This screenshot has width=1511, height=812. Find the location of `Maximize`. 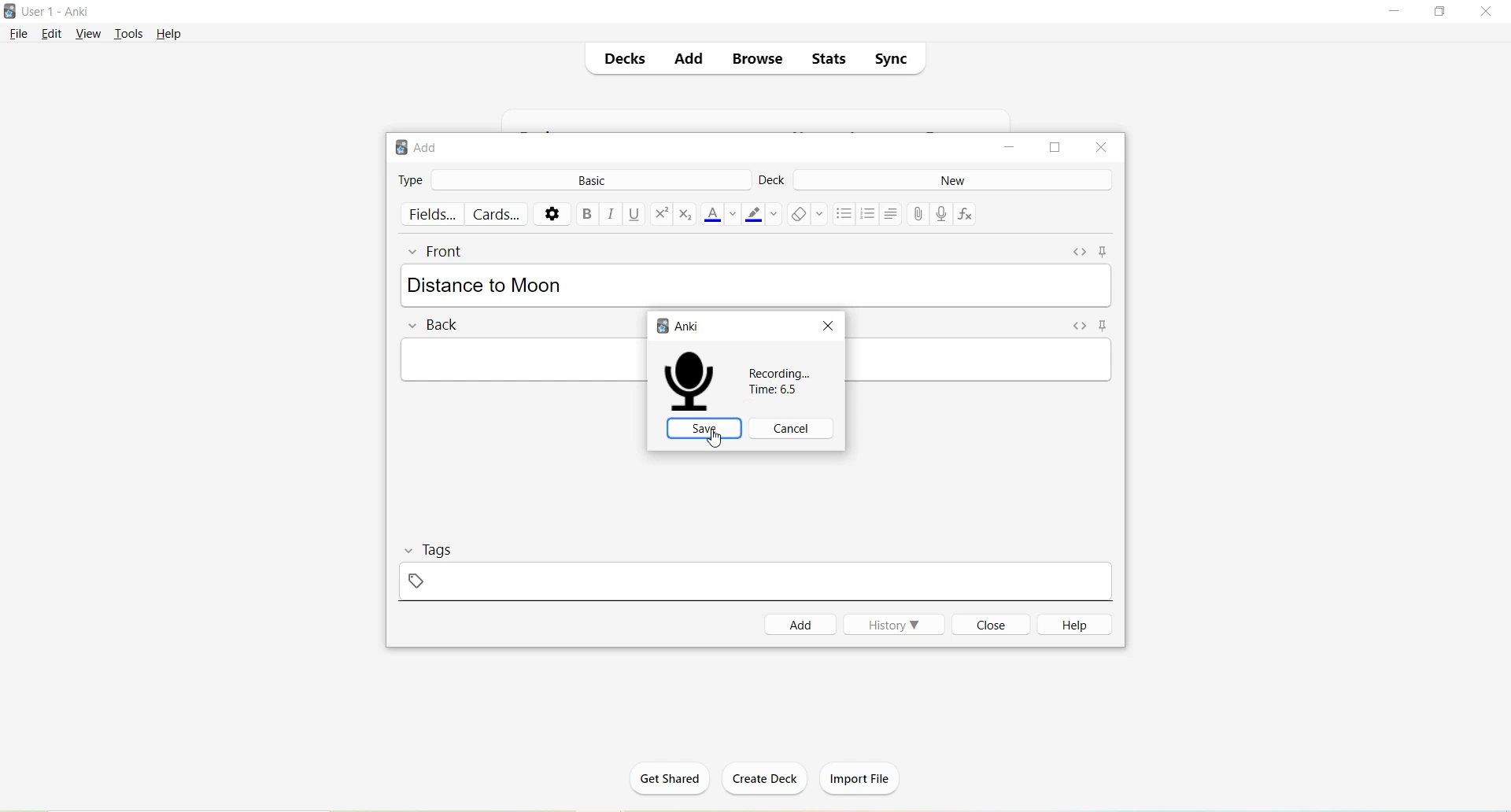

Maximize is located at coordinates (1055, 148).